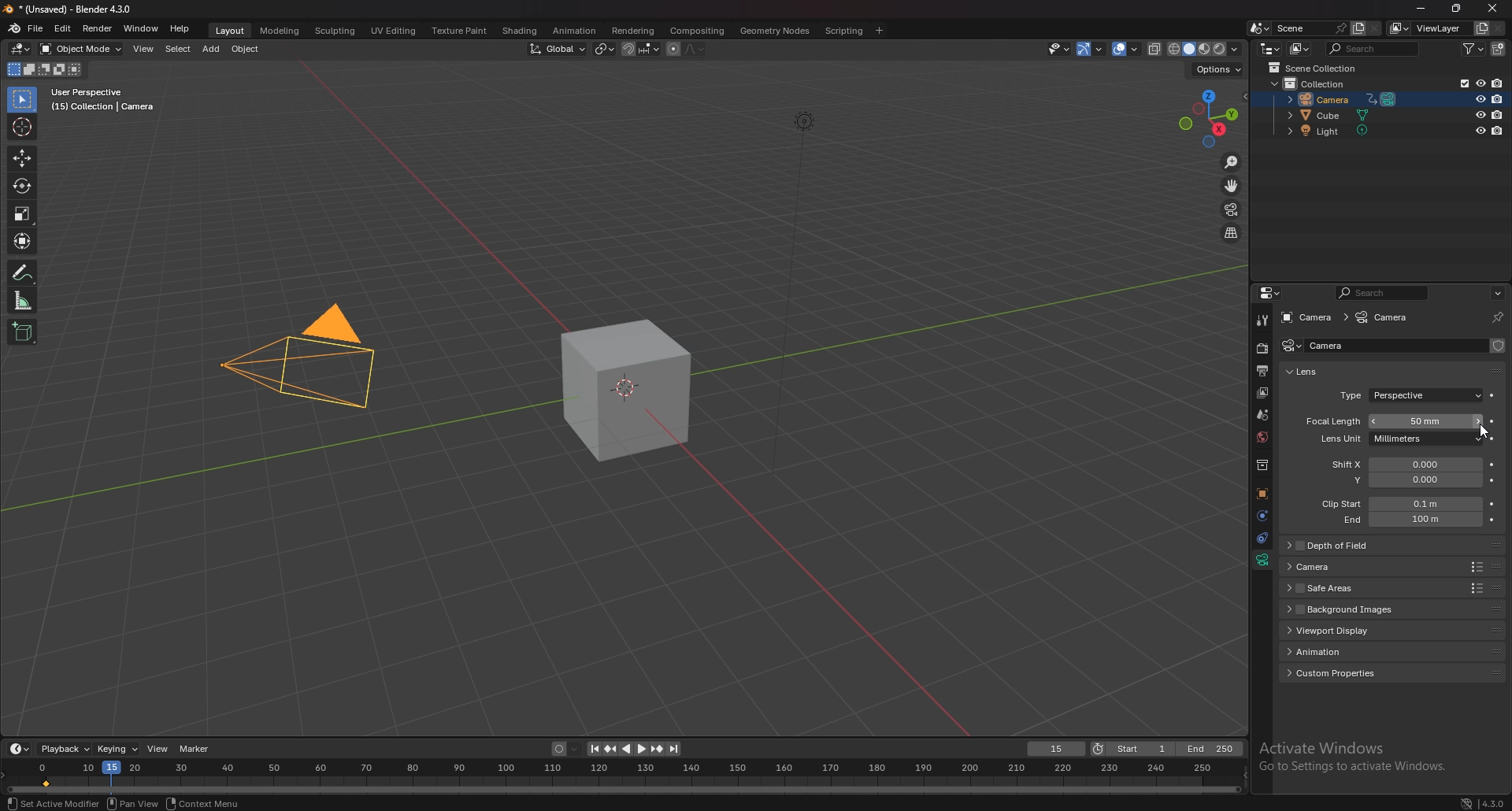  I want to click on editor type, so click(1269, 49).